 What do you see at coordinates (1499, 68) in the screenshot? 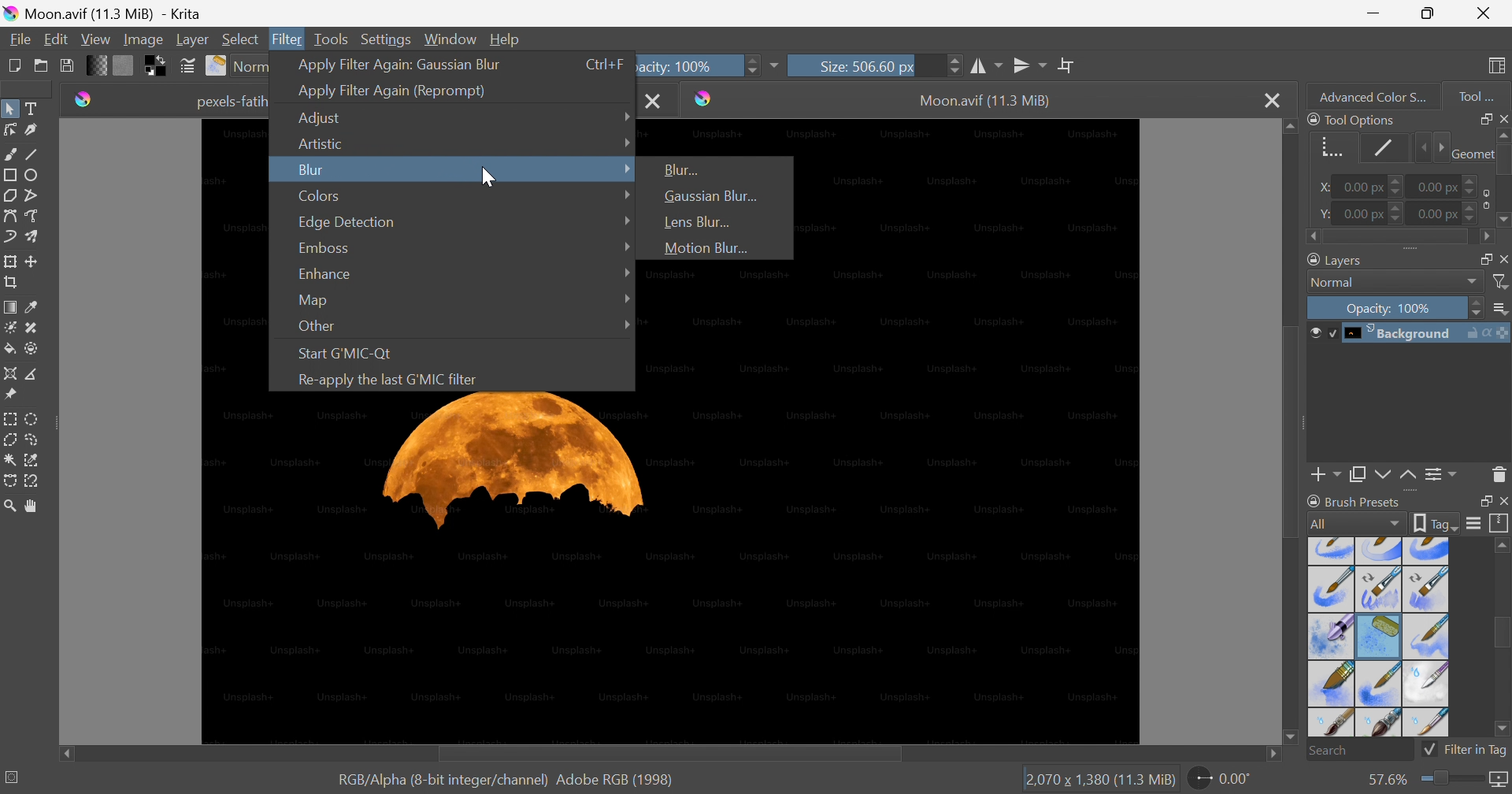
I see `Choose workspace` at bounding box center [1499, 68].